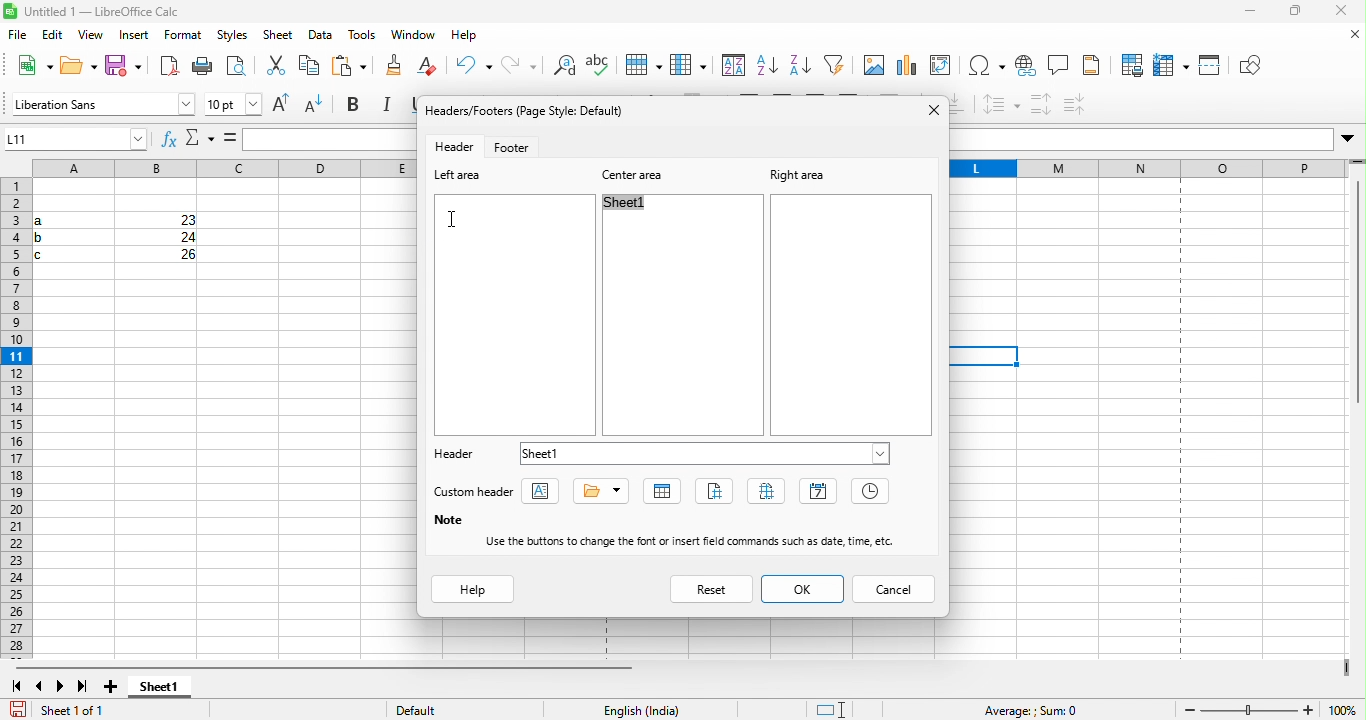 Image resolution: width=1366 pixels, height=720 pixels. Describe the element at coordinates (469, 589) in the screenshot. I see `help` at that location.